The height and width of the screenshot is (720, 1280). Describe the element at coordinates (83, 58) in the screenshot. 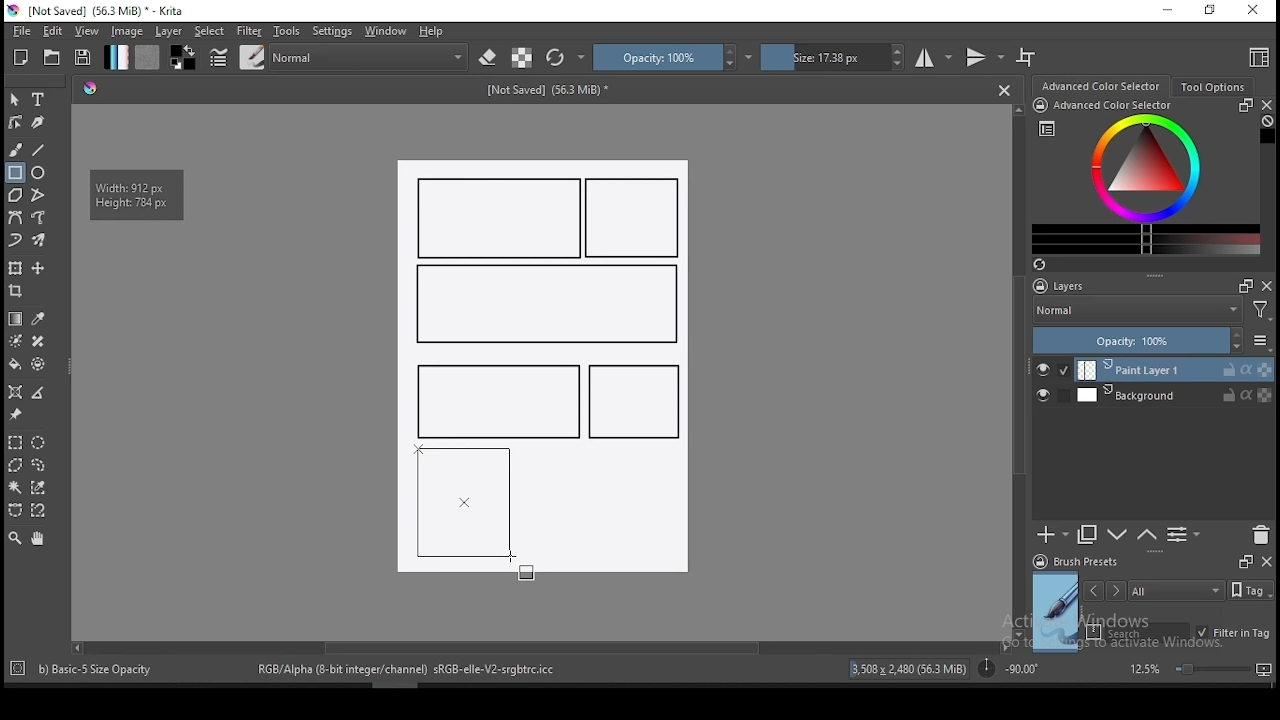

I see `save` at that location.